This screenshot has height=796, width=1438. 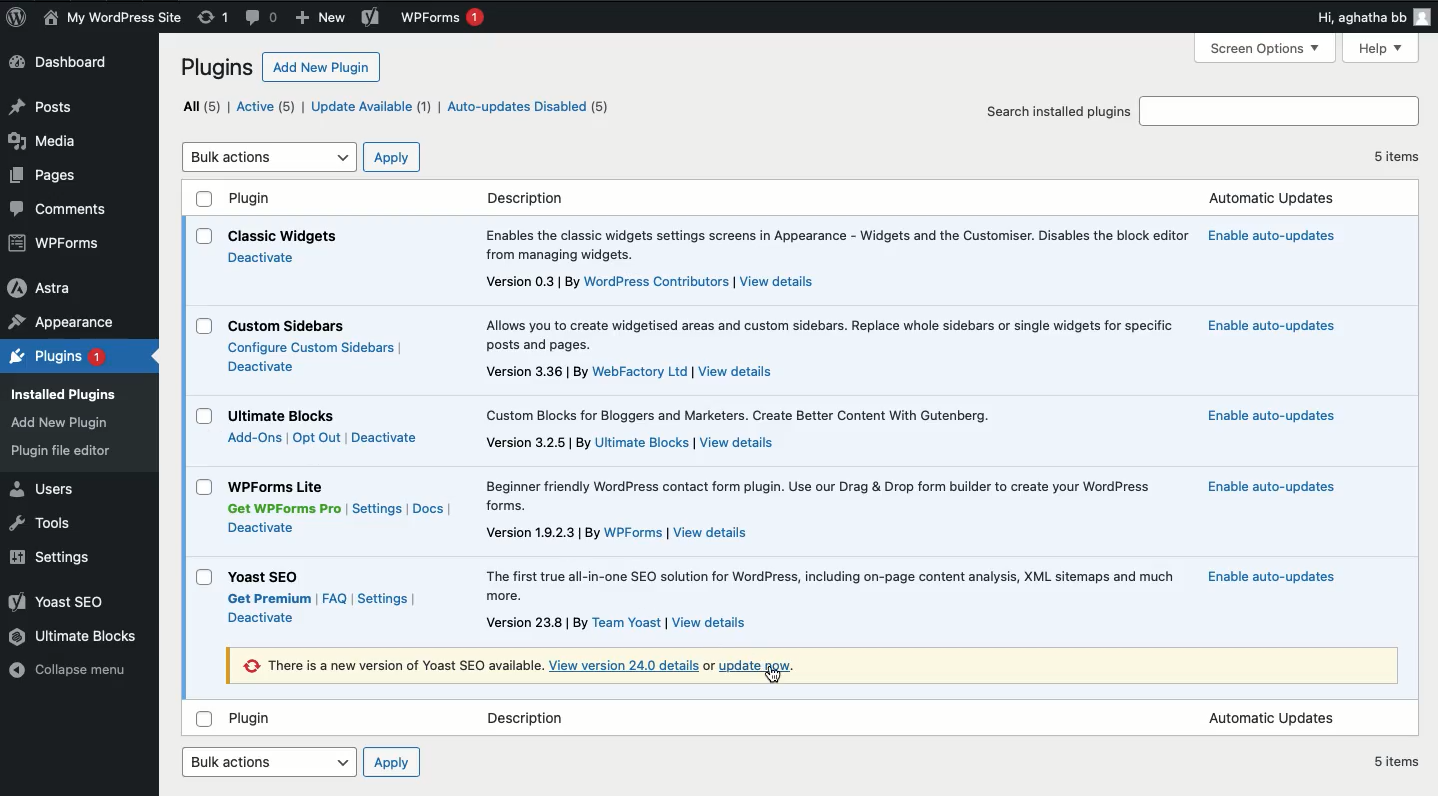 I want to click on Active, so click(x=269, y=108).